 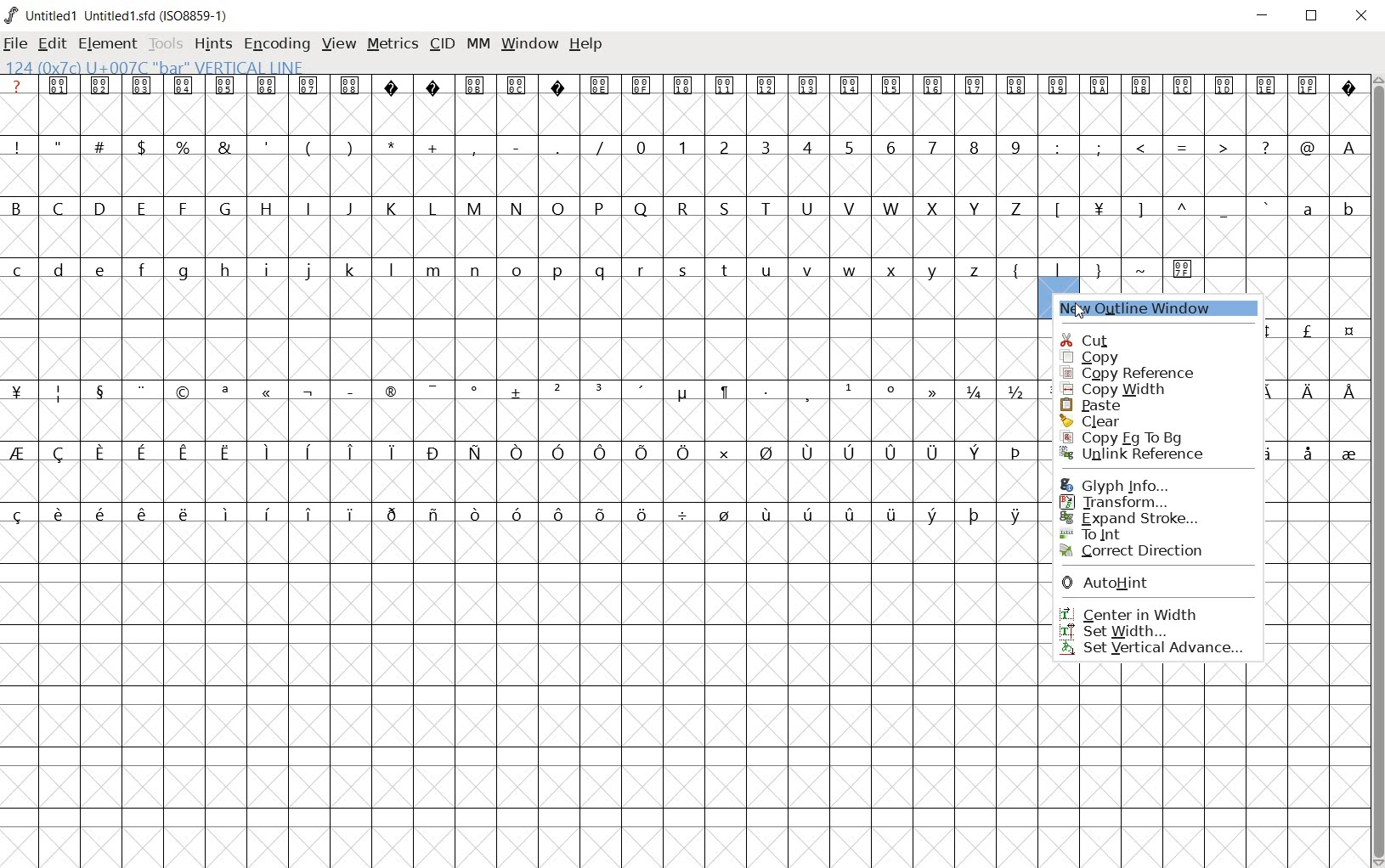 I want to click on tools, so click(x=166, y=42).